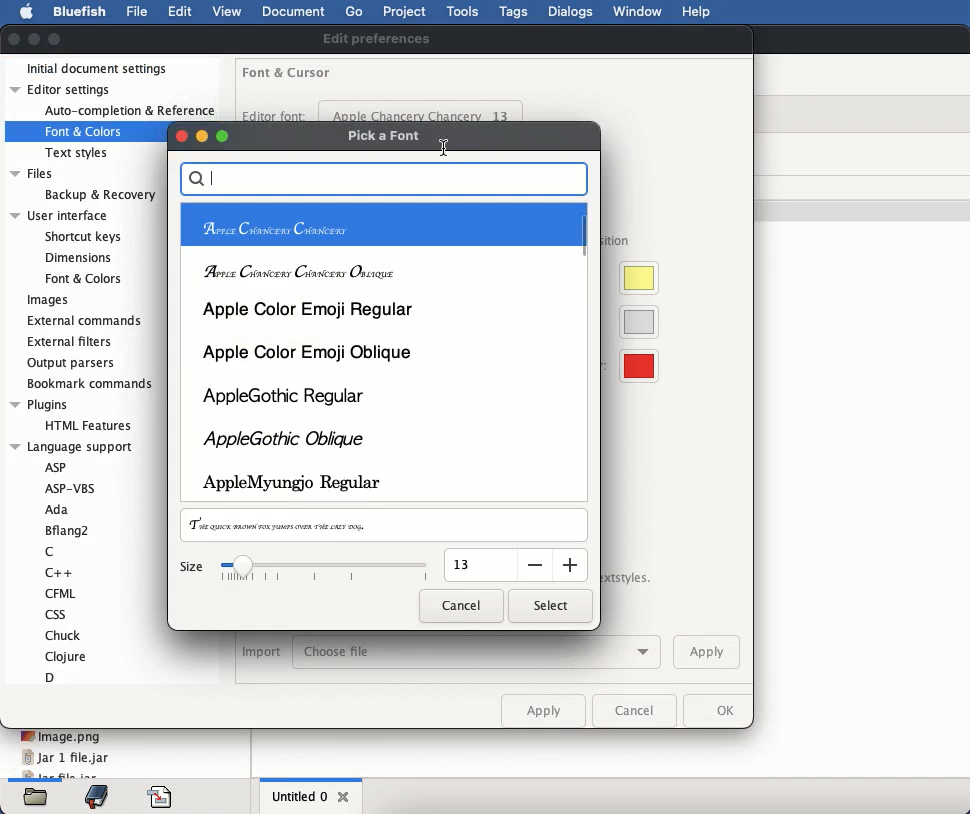 This screenshot has width=970, height=814. I want to click on pick a font, so click(386, 139).